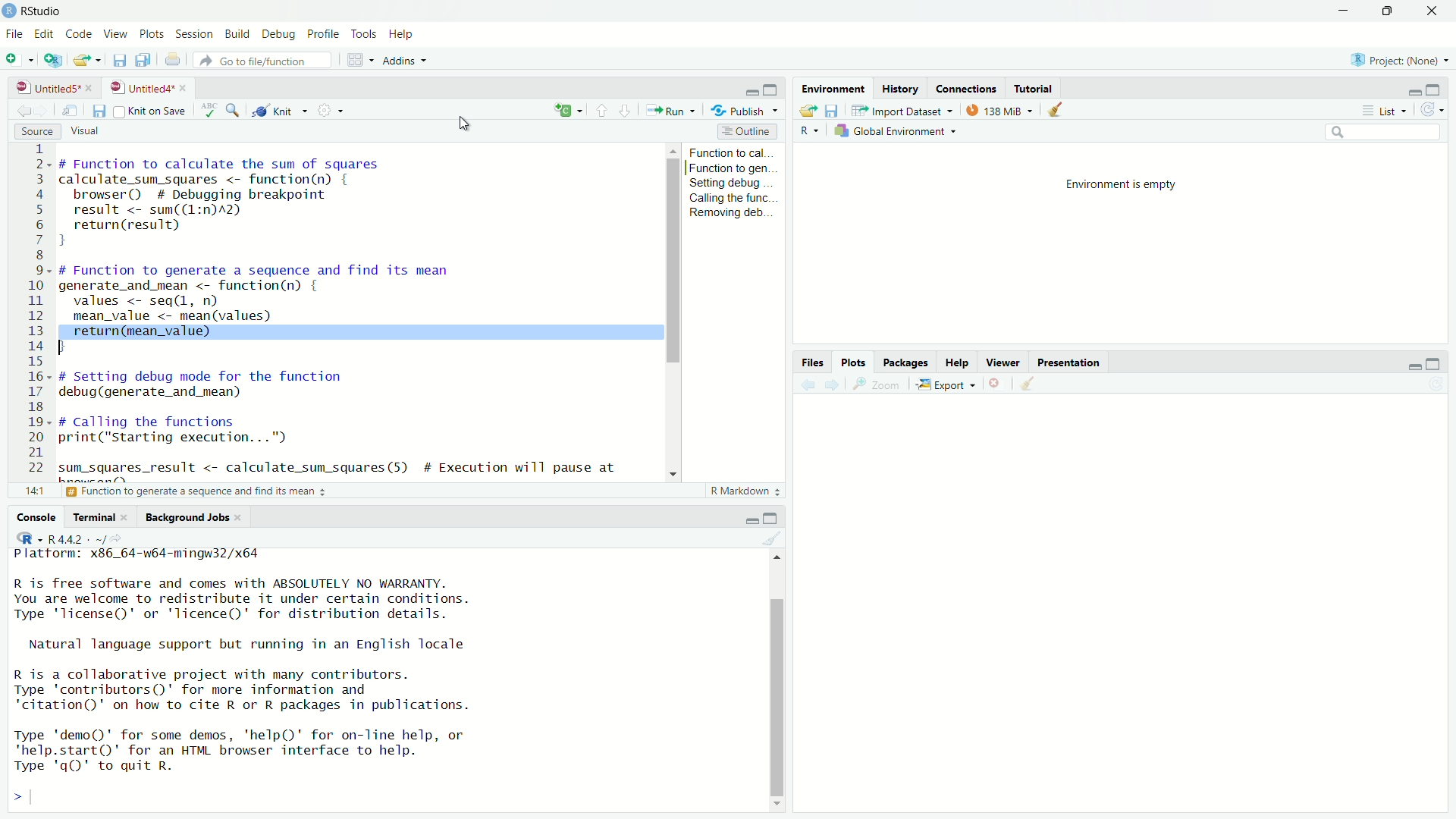 This screenshot has width=1456, height=819. I want to click on new file, so click(19, 60).